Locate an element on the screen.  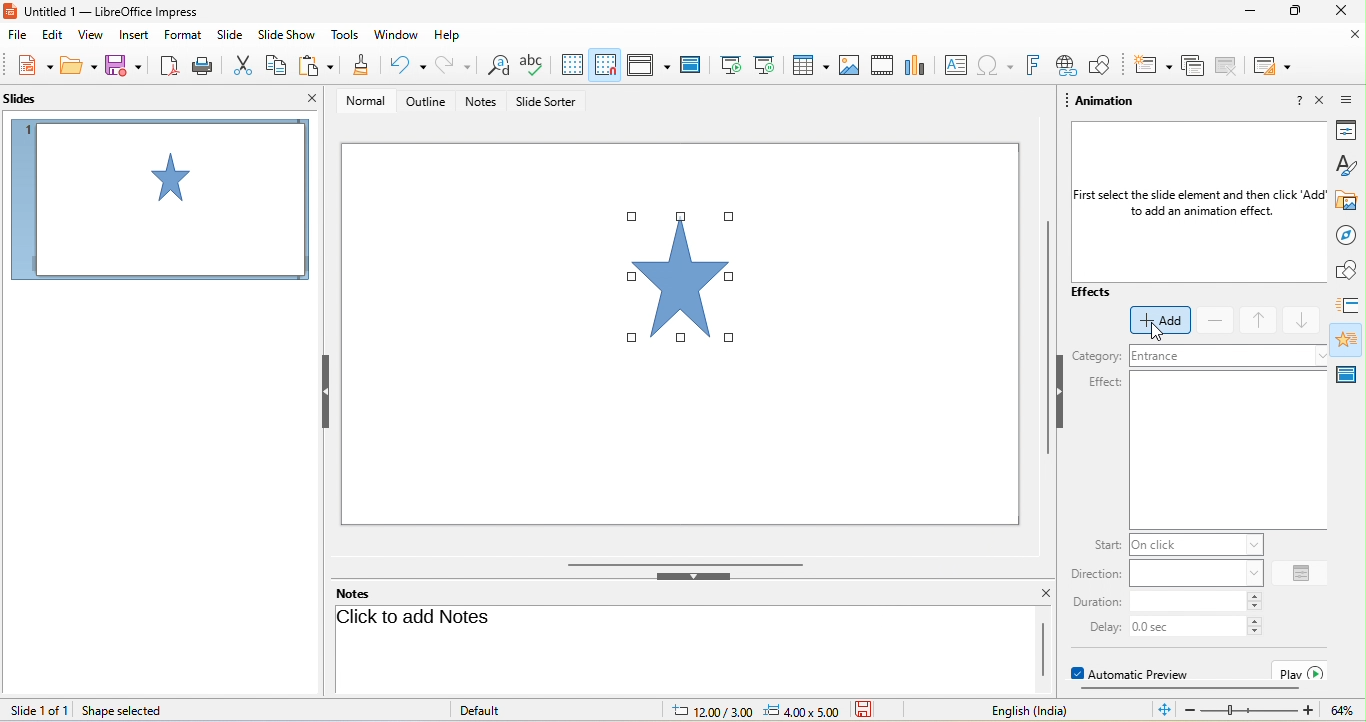
click here to add notes is located at coordinates (680, 646).